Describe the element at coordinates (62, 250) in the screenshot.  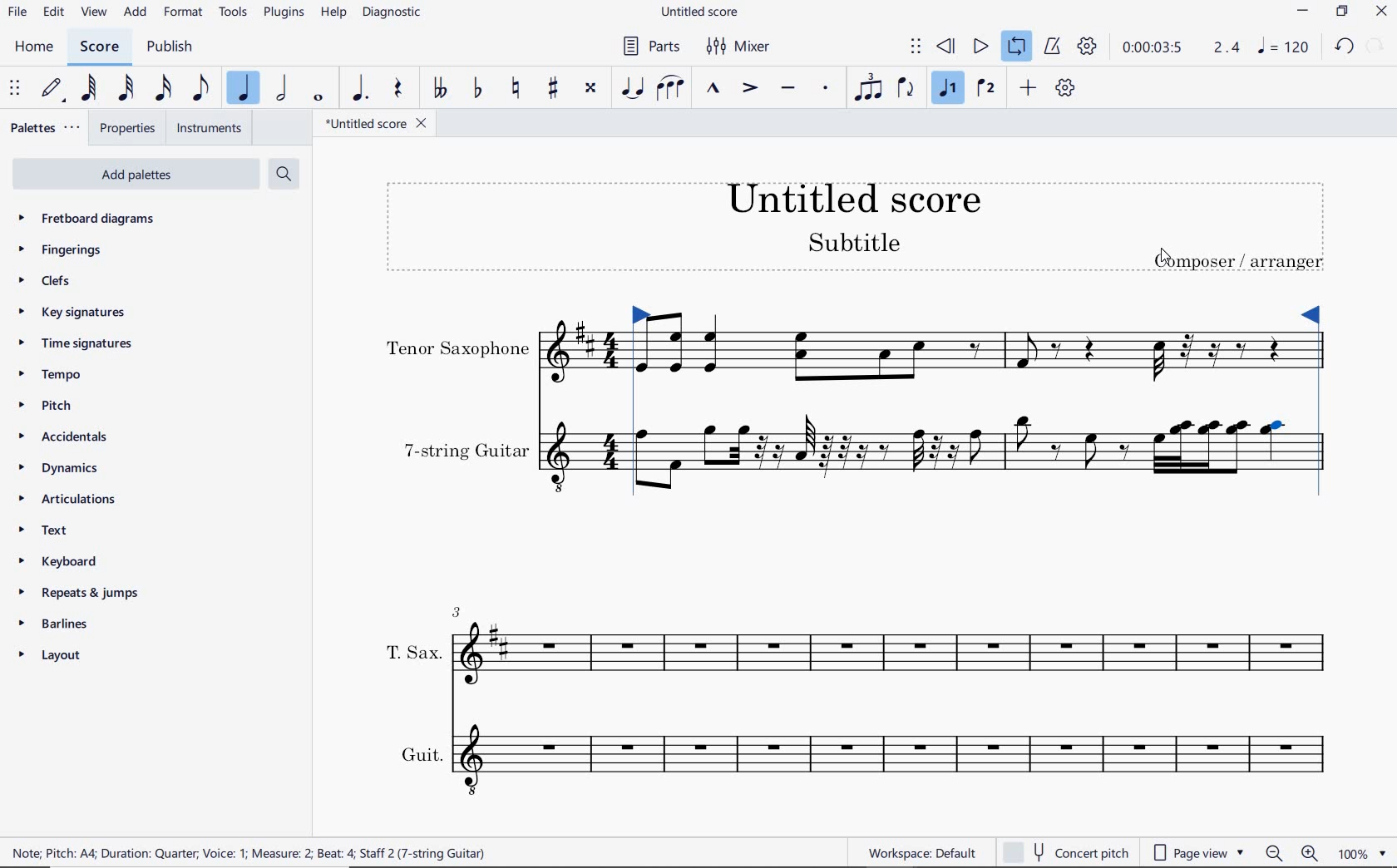
I see `FINGERINGS` at that location.